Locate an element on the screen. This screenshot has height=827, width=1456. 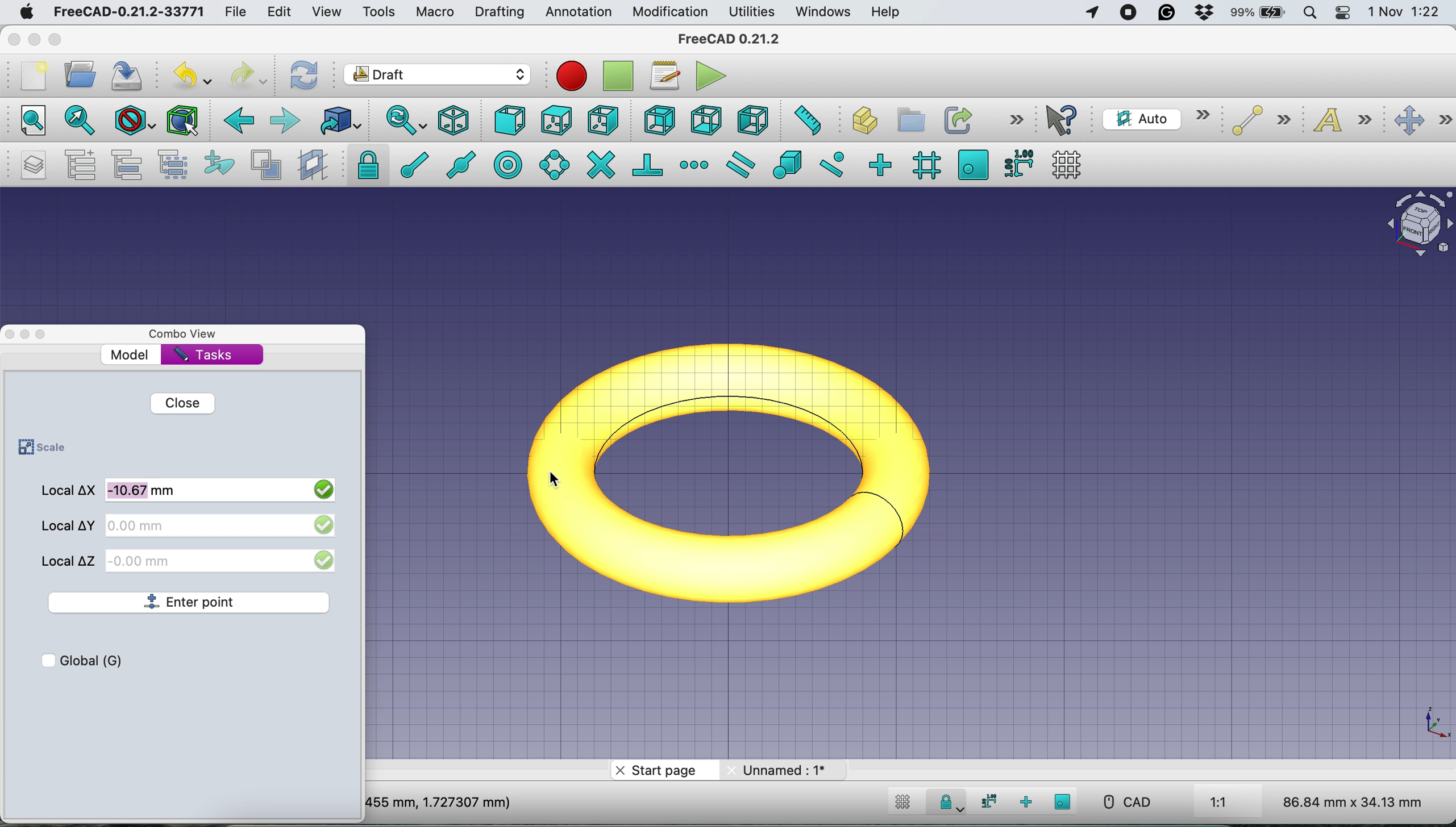
snap angle is located at coordinates (555, 164).